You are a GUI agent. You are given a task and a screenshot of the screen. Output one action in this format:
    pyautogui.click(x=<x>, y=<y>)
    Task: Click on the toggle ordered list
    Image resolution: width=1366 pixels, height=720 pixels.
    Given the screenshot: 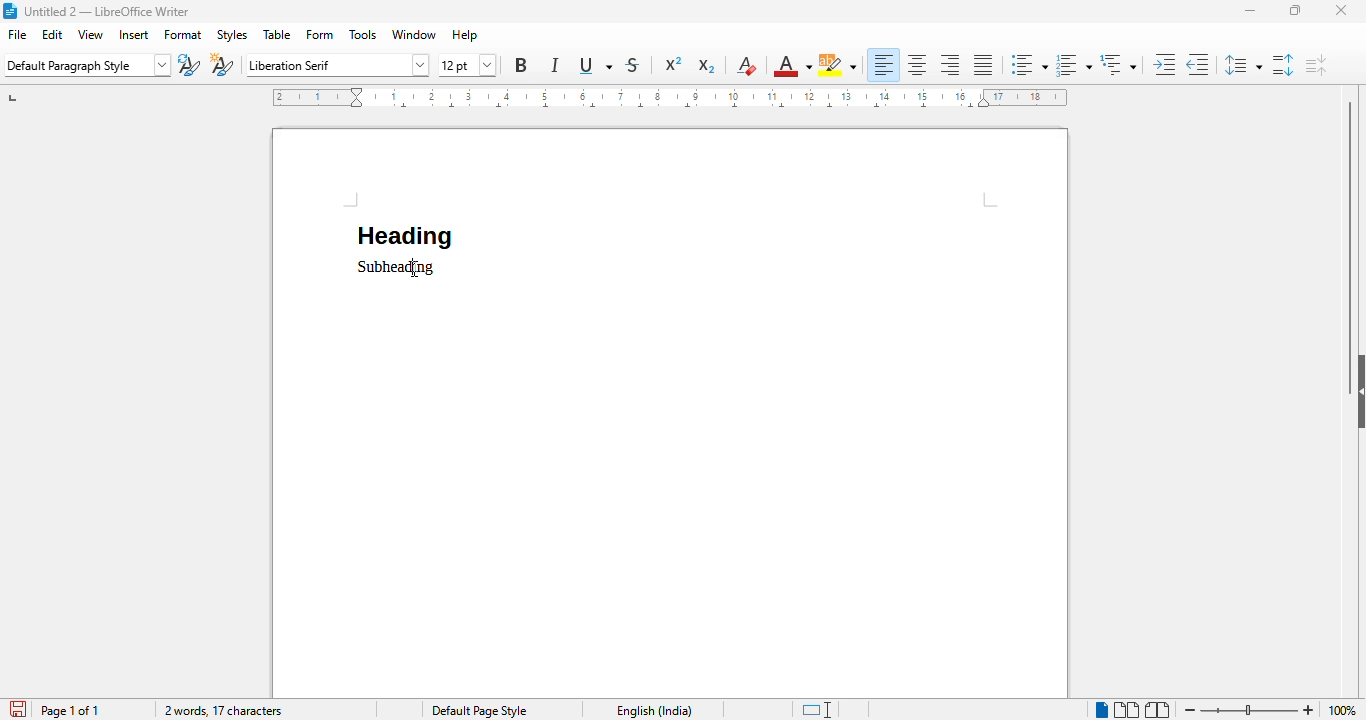 What is the action you would take?
    pyautogui.click(x=1076, y=65)
    